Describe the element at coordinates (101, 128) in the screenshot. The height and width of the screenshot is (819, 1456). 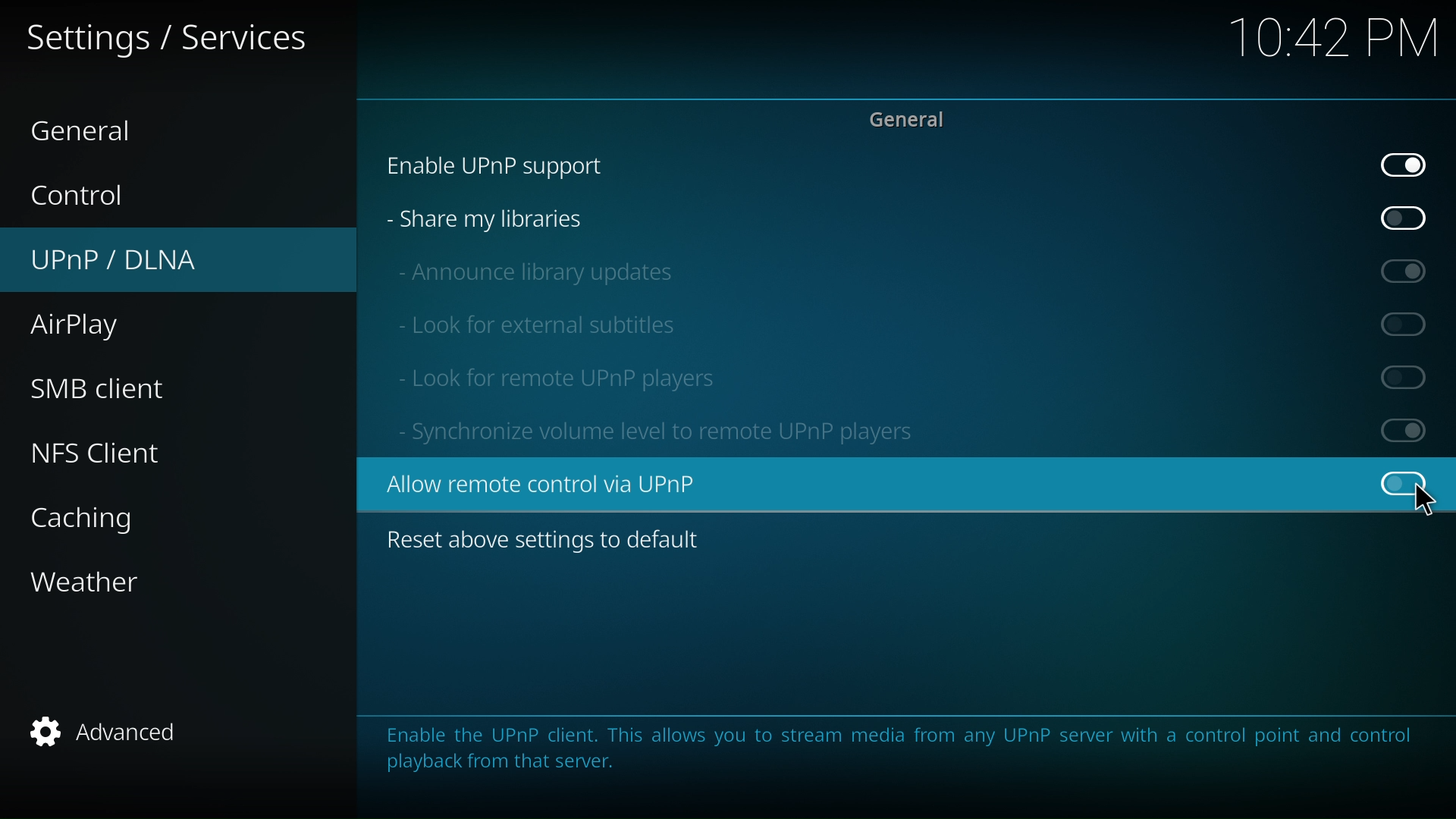
I see `general` at that location.